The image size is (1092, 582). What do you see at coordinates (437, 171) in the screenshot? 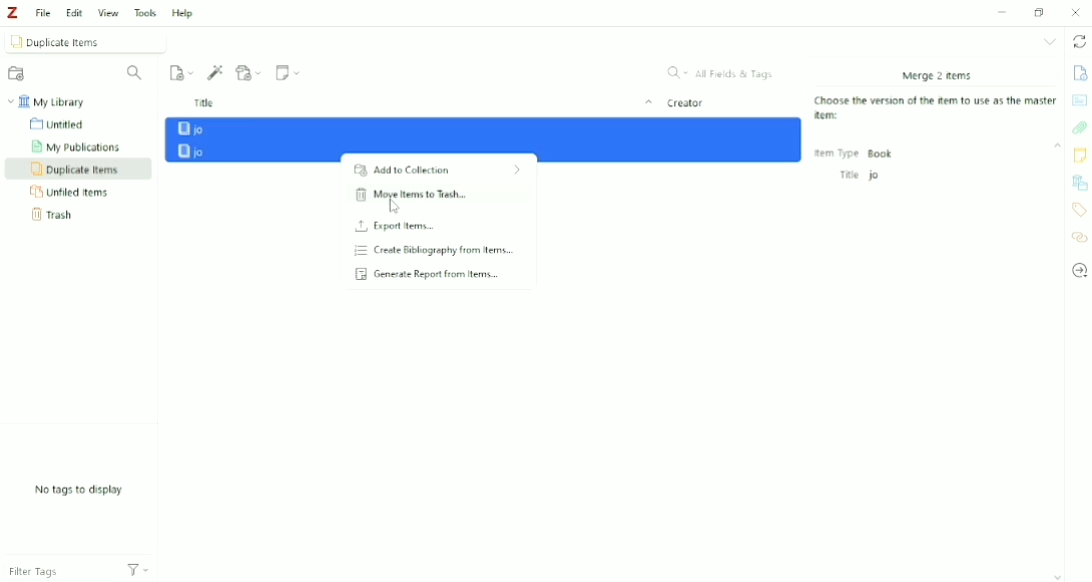
I see `Add to Collection` at bounding box center [437, 171].